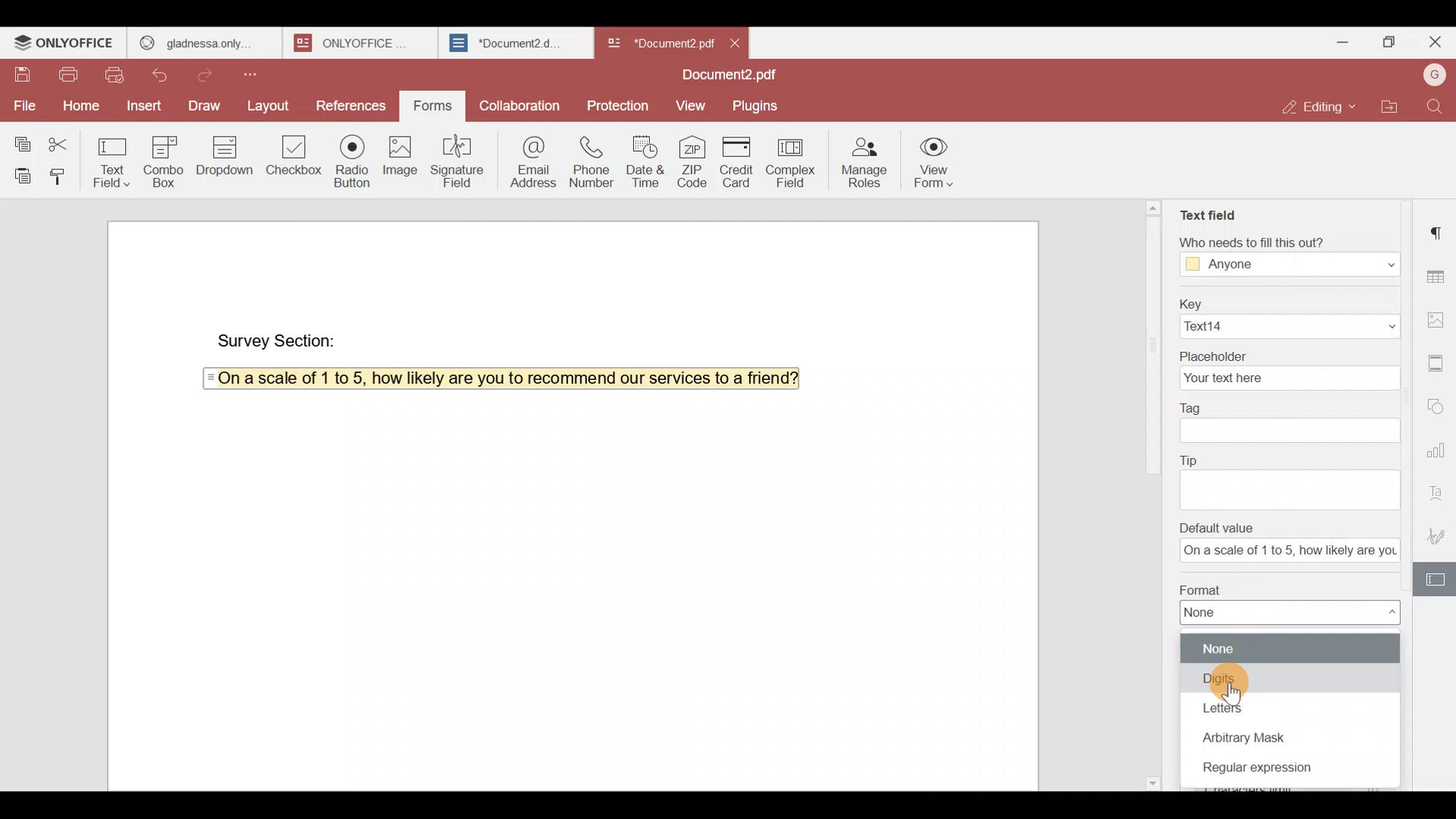 Image resolution: width=1456 pixels, height=819 pixels. Describe the element at coordinates (427, 106) in the screenshot. I see `Forms` at that location.